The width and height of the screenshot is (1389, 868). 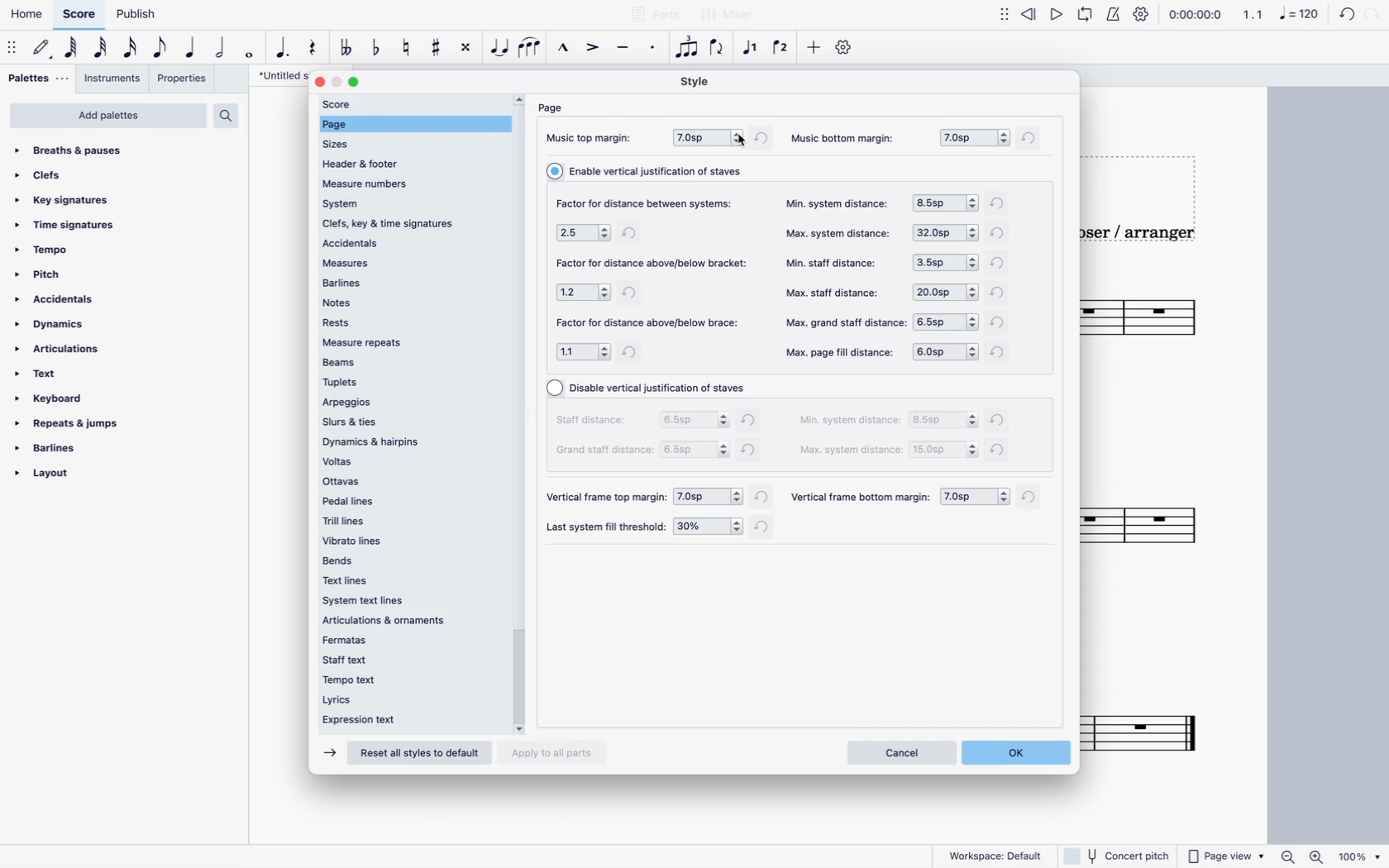 I want to click on refresh, so click(x=999, y=351).